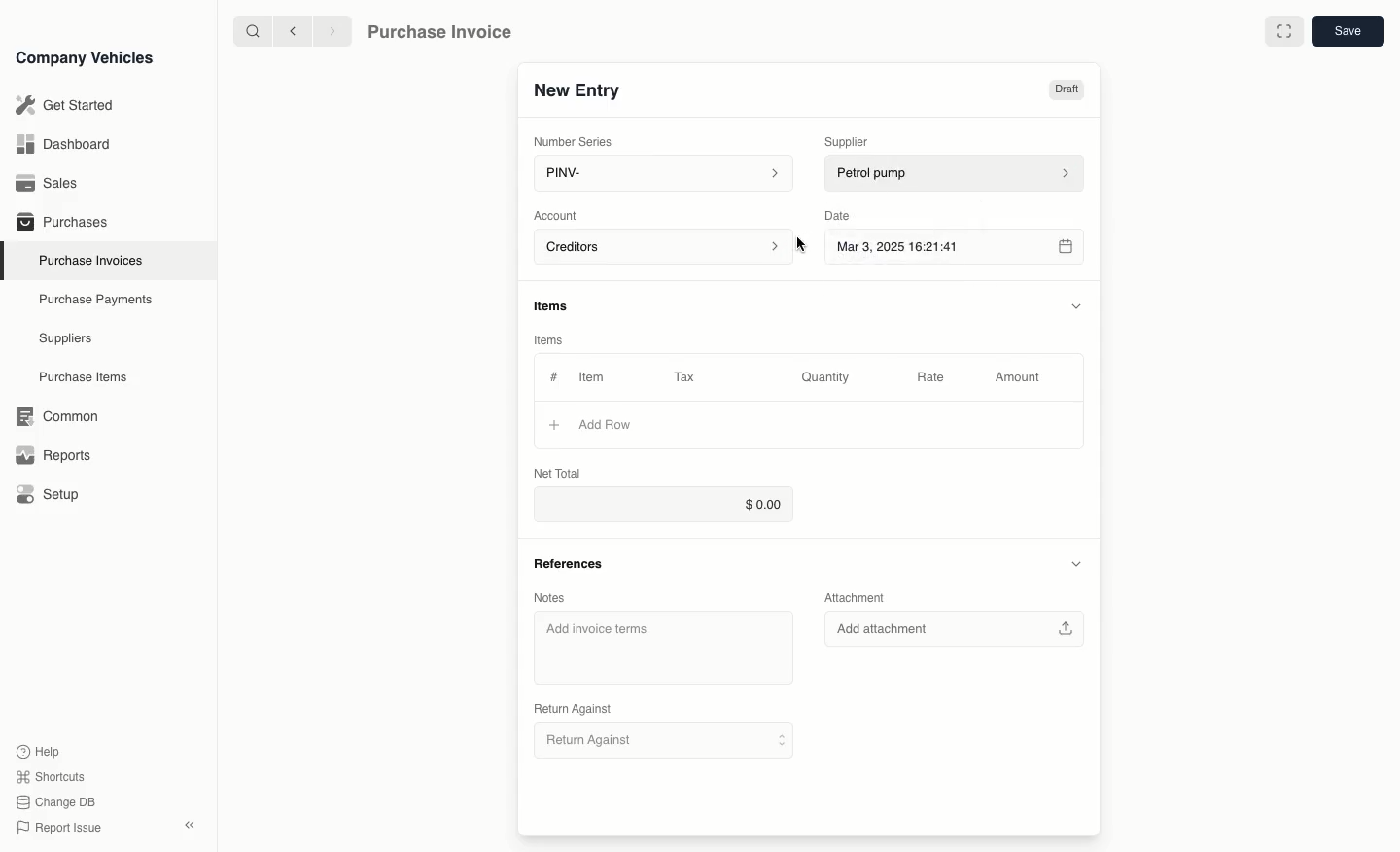 The height and width of the screenshot is (852, 1400). I want to click on Dashboard, so click(62, 144).